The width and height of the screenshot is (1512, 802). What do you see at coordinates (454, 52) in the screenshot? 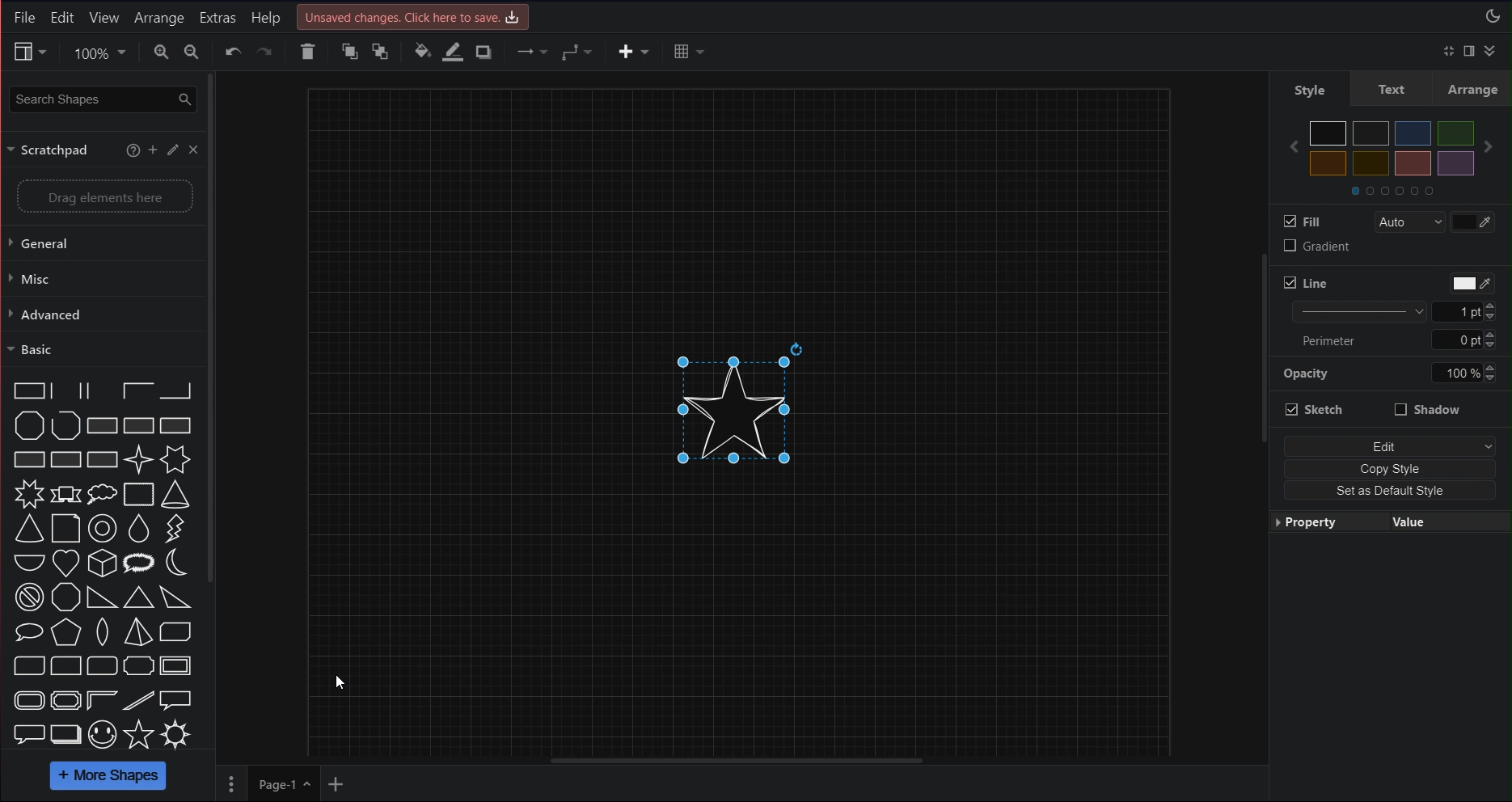
I see `Line color` at bounding box center [454, 52].